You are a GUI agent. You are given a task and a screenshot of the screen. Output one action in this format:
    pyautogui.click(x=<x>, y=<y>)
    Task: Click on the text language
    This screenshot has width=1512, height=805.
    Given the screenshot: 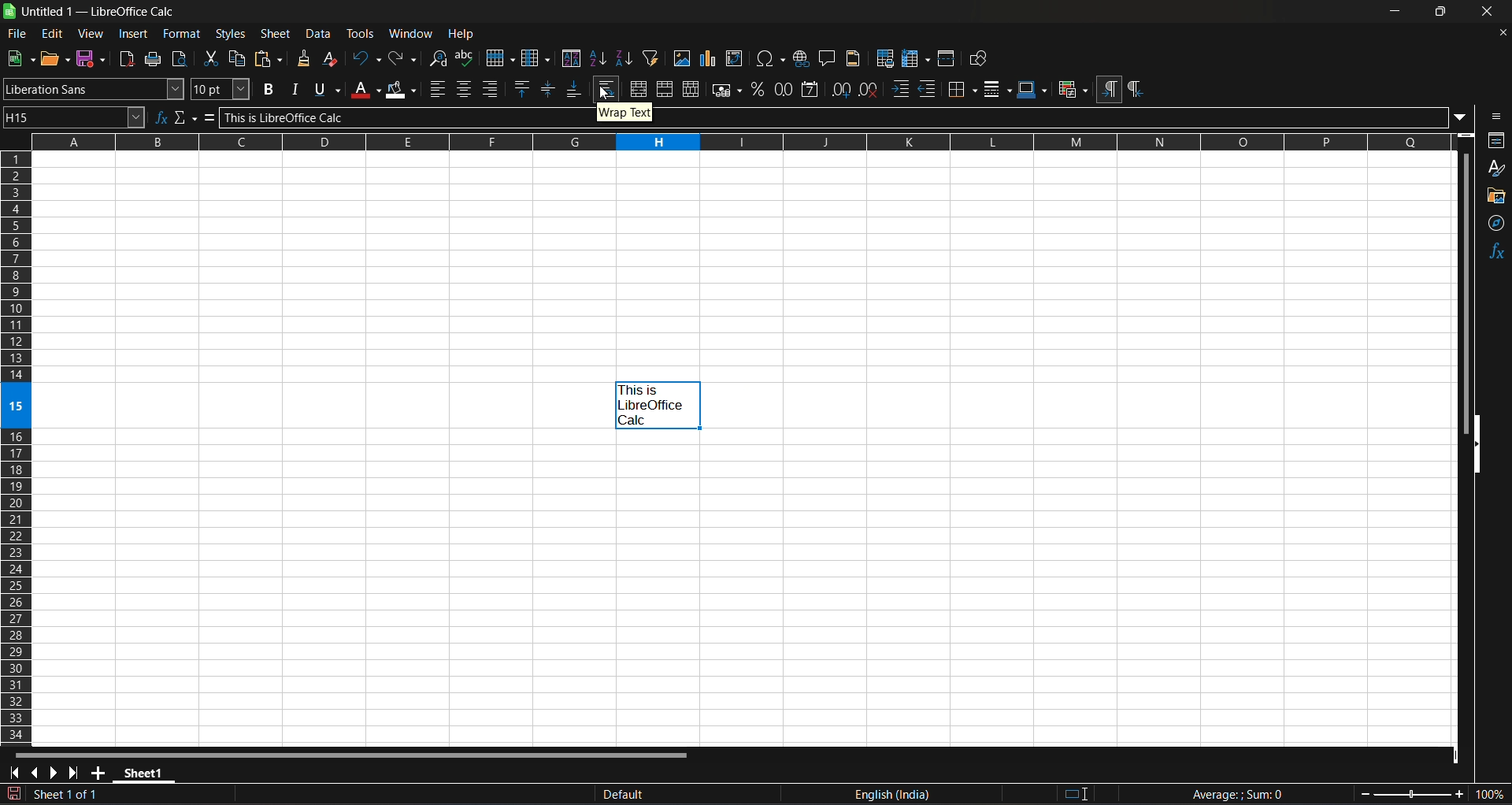 What is the action you would take?
    pyautogui.click(x=902, y=795)
    